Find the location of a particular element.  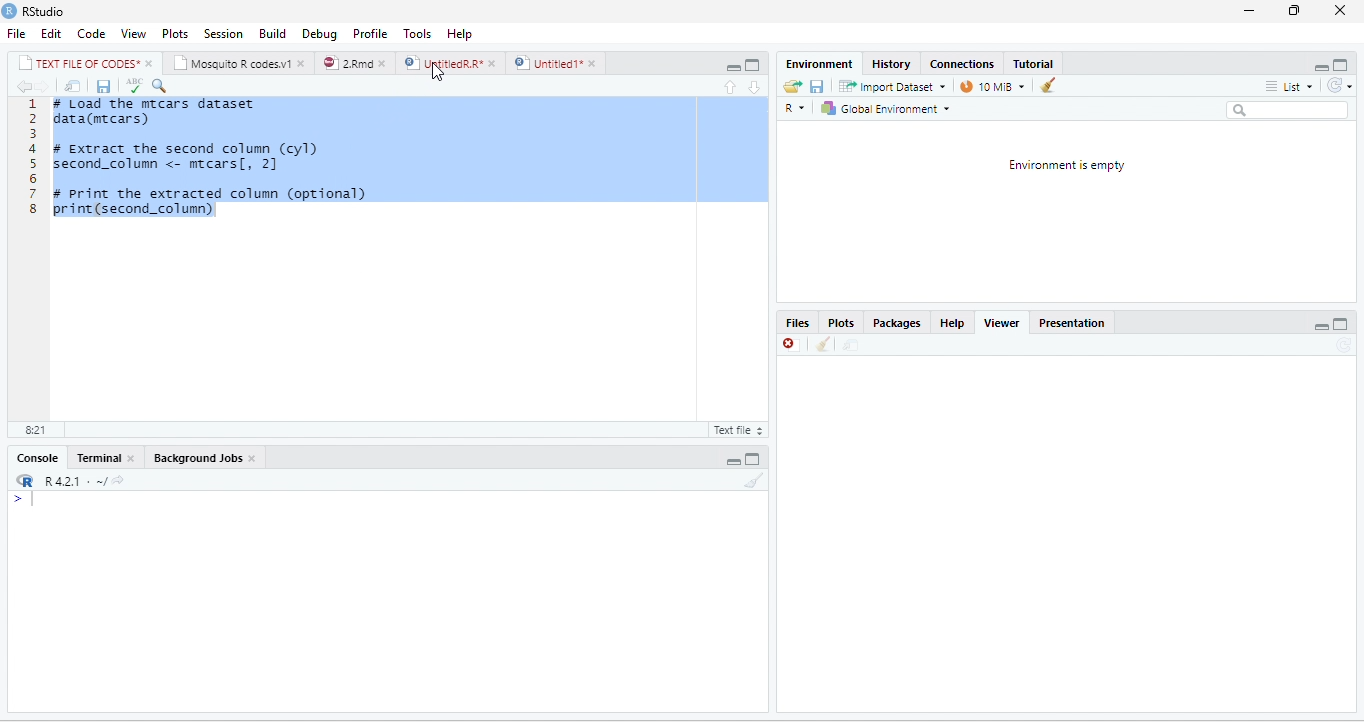

UnttiedR A is located at coordinates (443, 62).